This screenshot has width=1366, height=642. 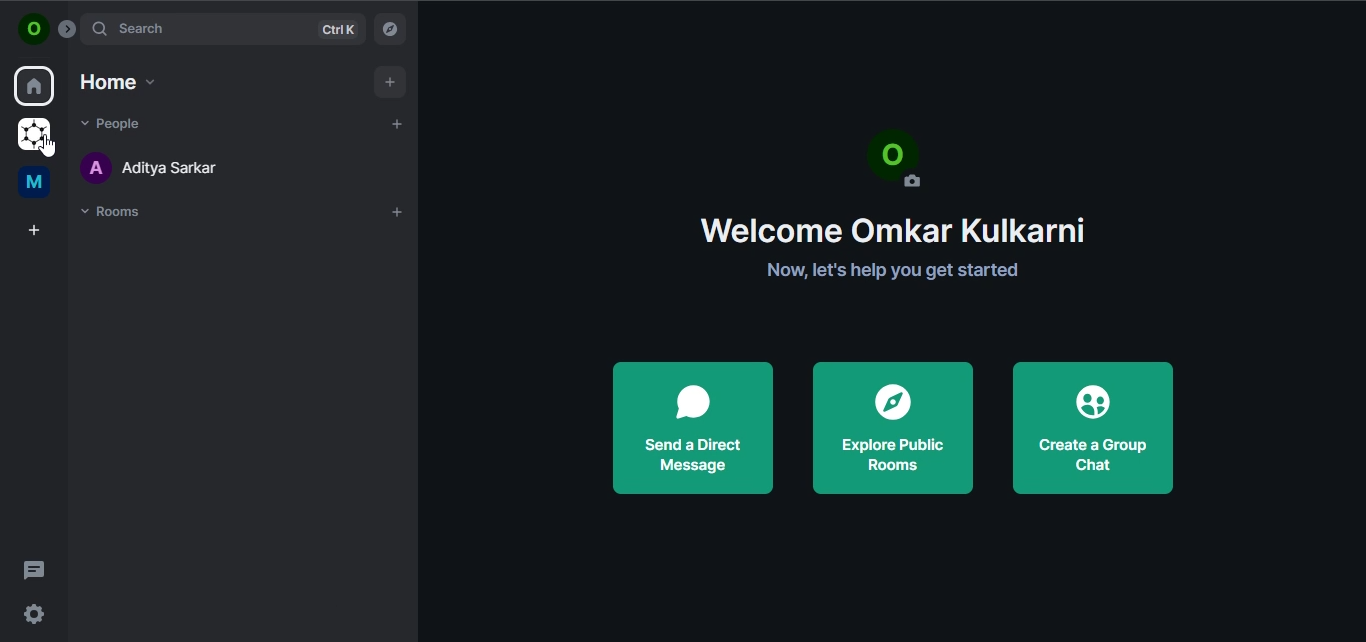 What do you see at coordinates (893, 248) in the screenshot?
I see `Welcome Omkar Kulkarni
Now, let's help you get started` at bounding box center [893, 248].